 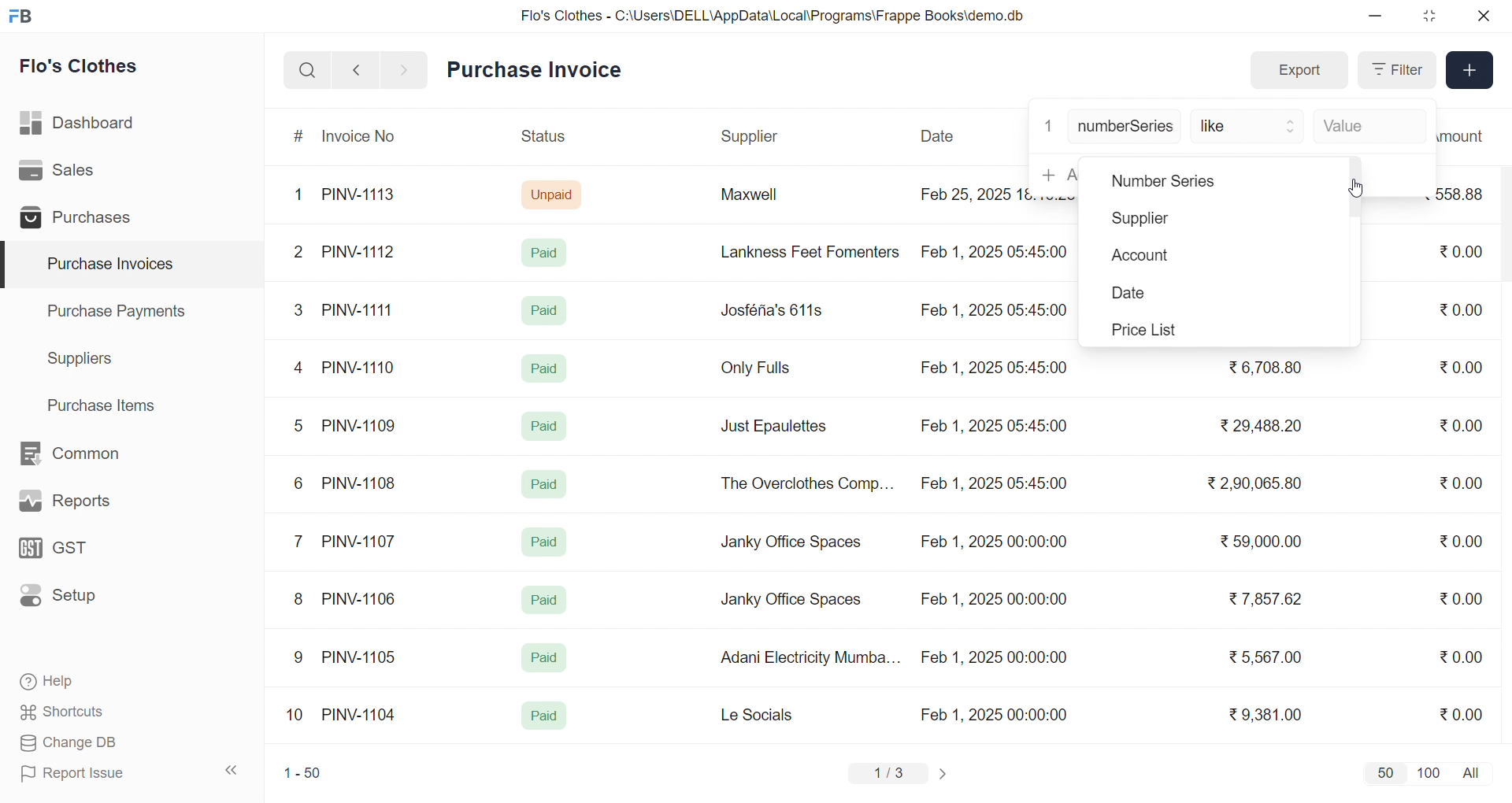 What do you see at coordinates (1466, 194) in the screenshot?
I see `₹558.88` at bounding box center [1466, 194].